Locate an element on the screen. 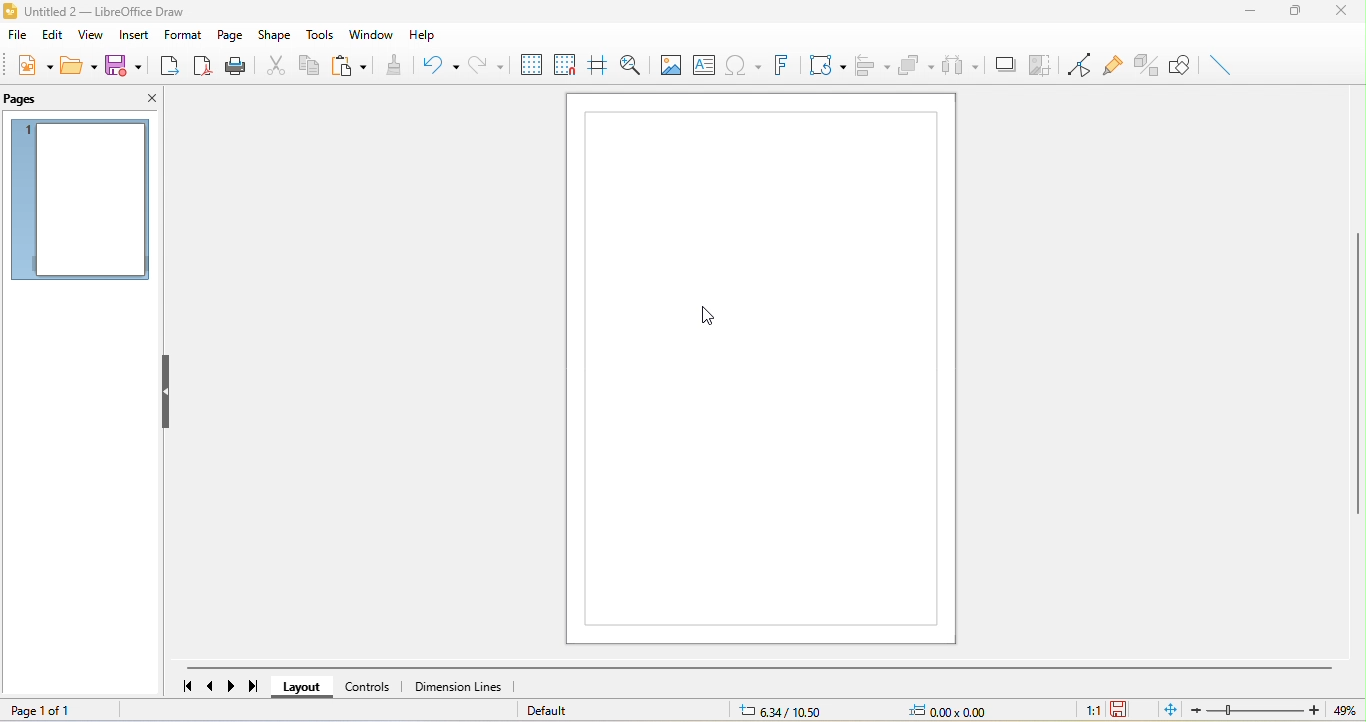  zoom and pan is located at coordinates (631, 62).